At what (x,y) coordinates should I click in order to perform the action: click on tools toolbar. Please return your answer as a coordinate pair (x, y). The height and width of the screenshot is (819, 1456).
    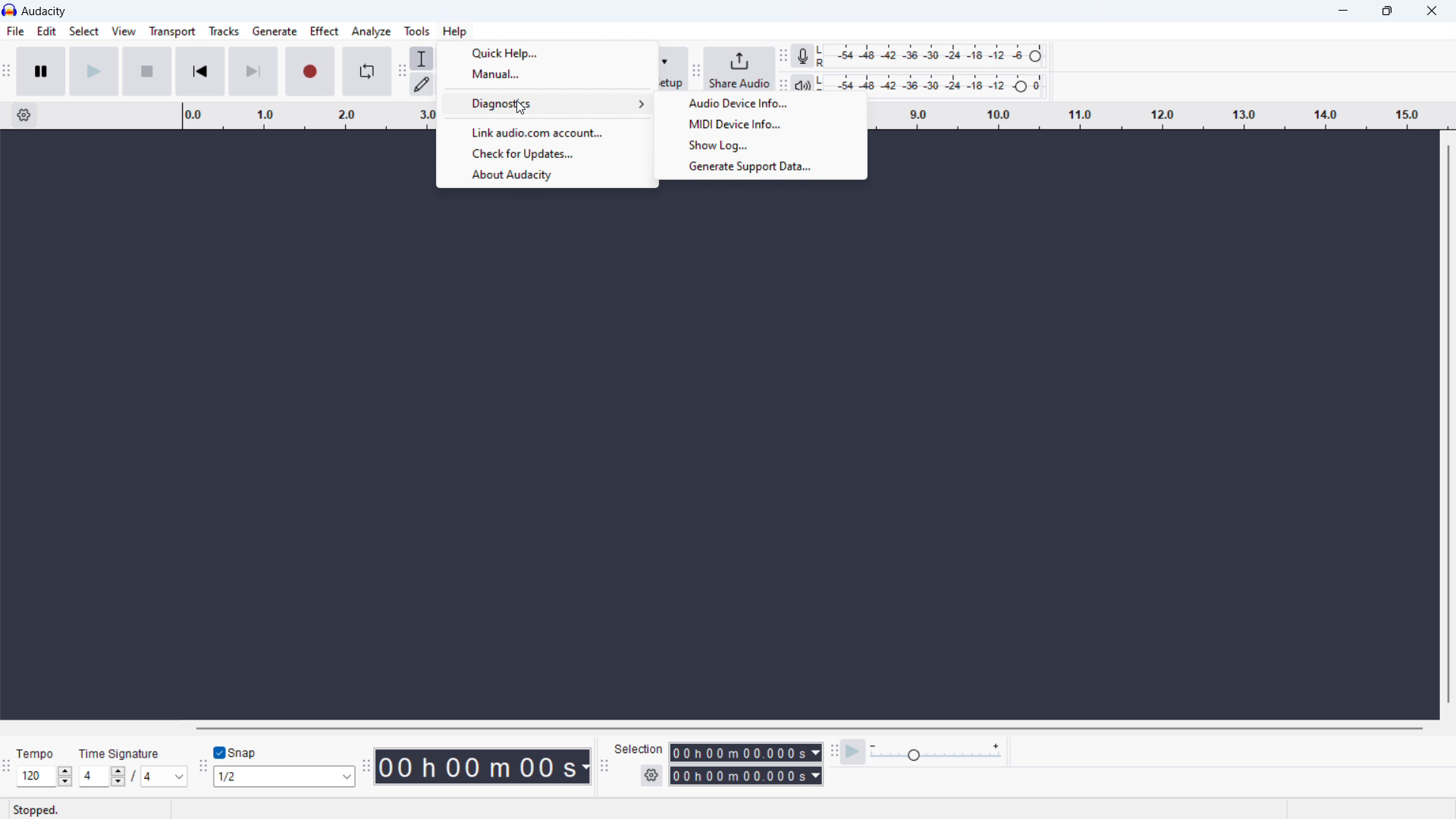
    Looking at the image, I should click on (403, 71).